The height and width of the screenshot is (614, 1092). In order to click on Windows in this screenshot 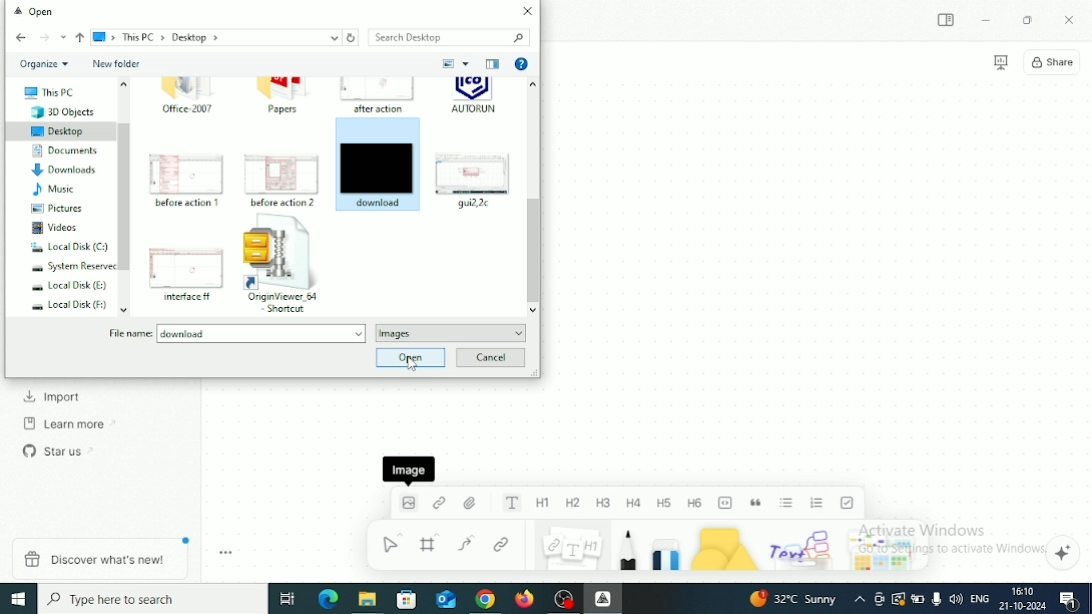, I will do `click(20, 598)`.